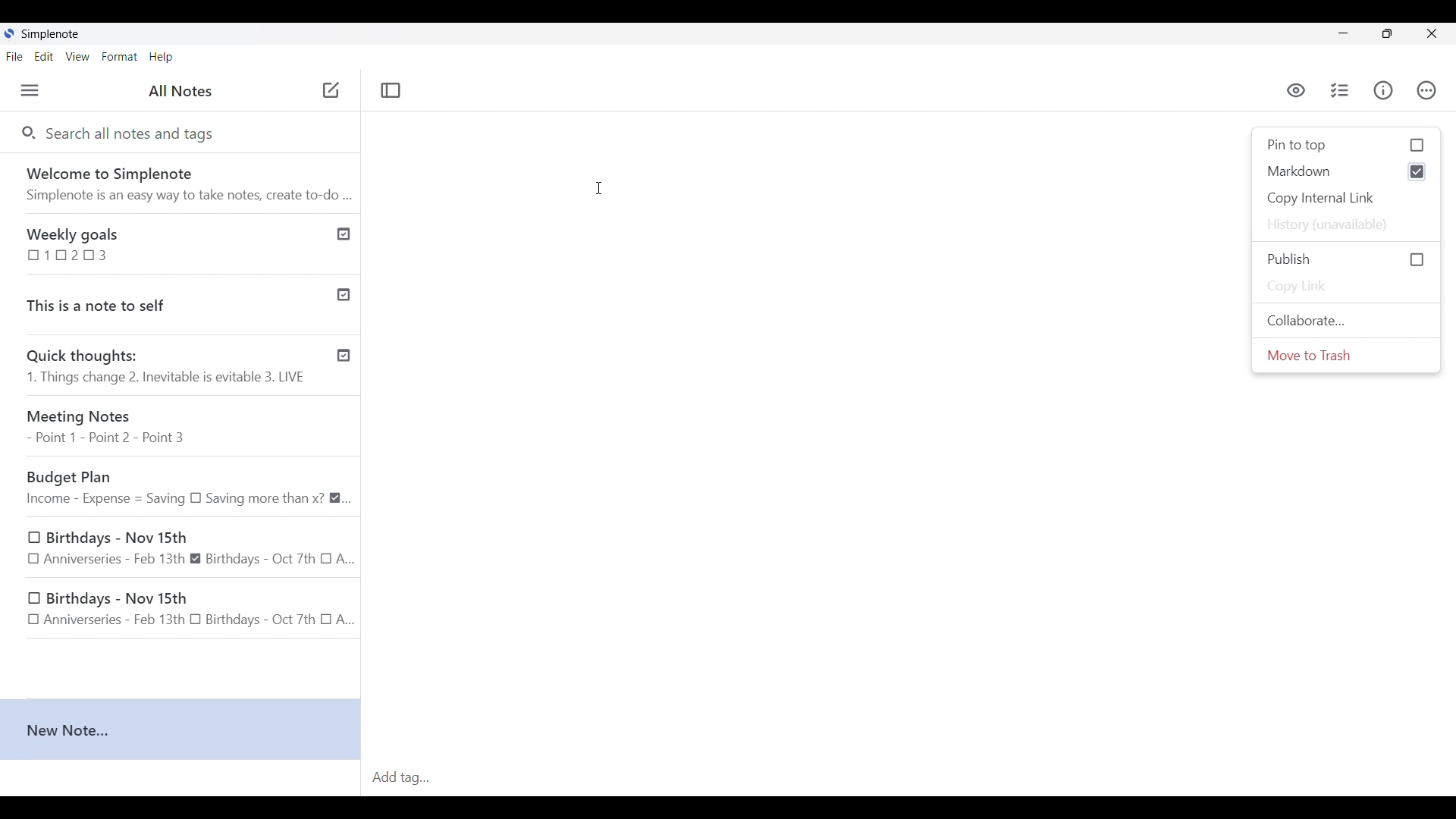 This screenshot has height=819, width=1456. I want to click on Cursor clicking on writing space, so click(599, 188).